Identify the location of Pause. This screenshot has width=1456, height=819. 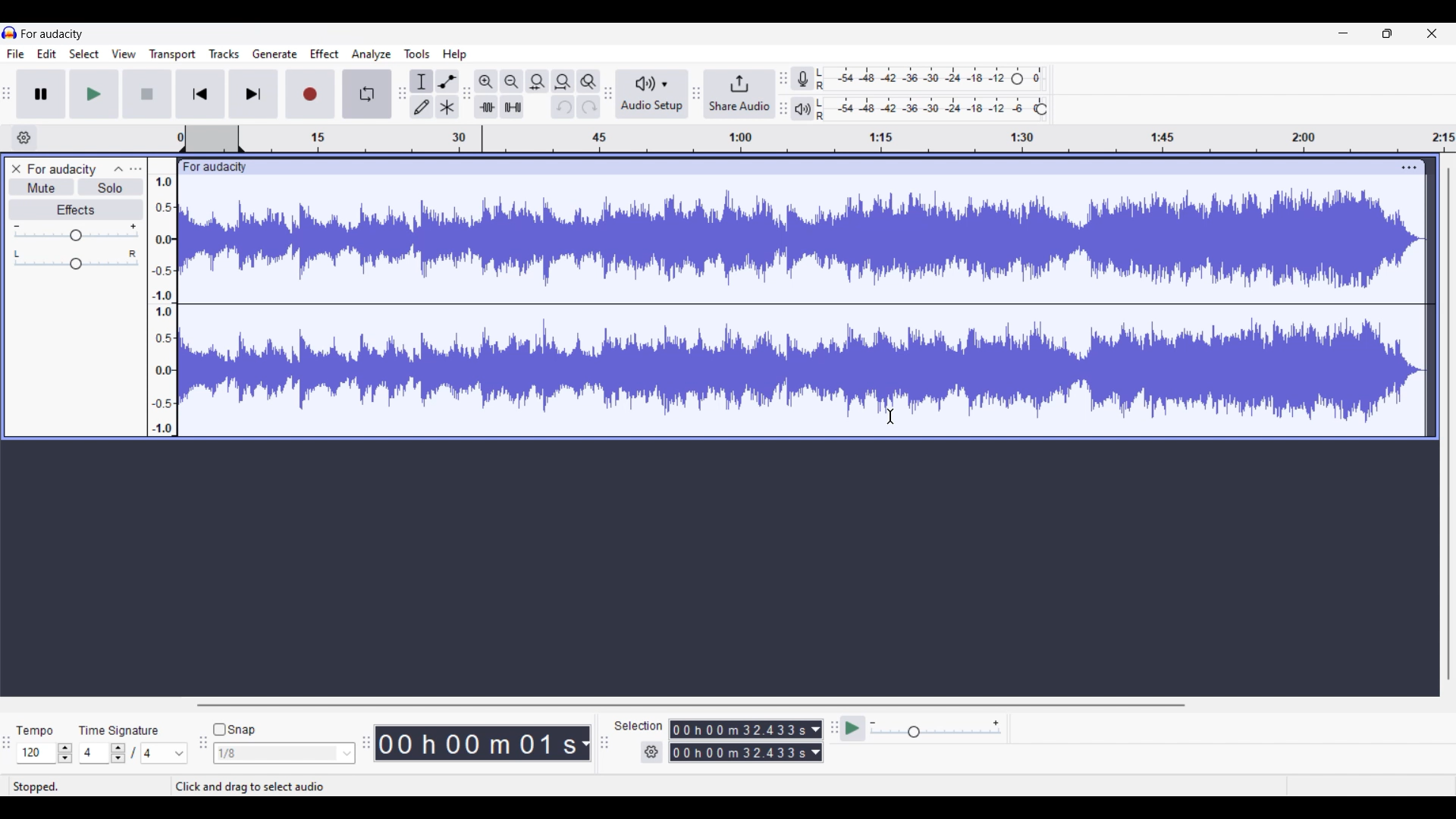
(42, 94).